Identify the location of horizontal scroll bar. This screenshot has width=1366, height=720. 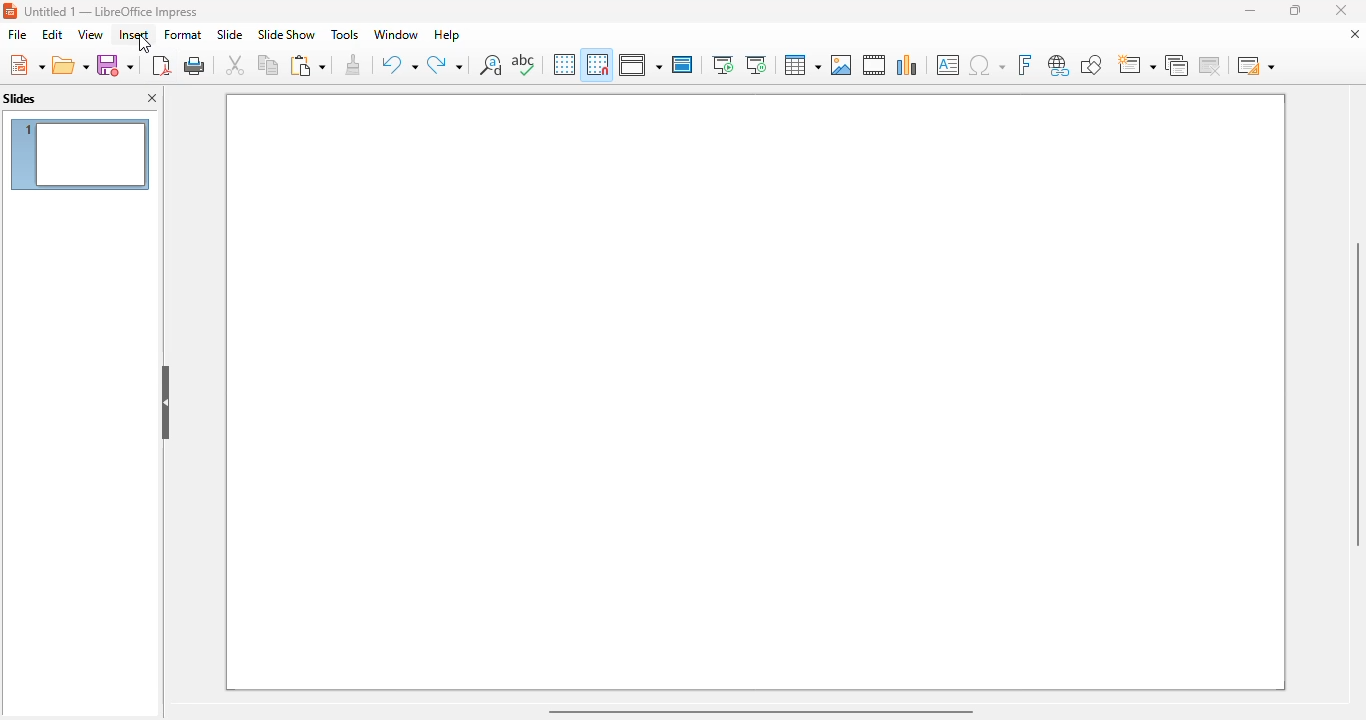
(759, 710).